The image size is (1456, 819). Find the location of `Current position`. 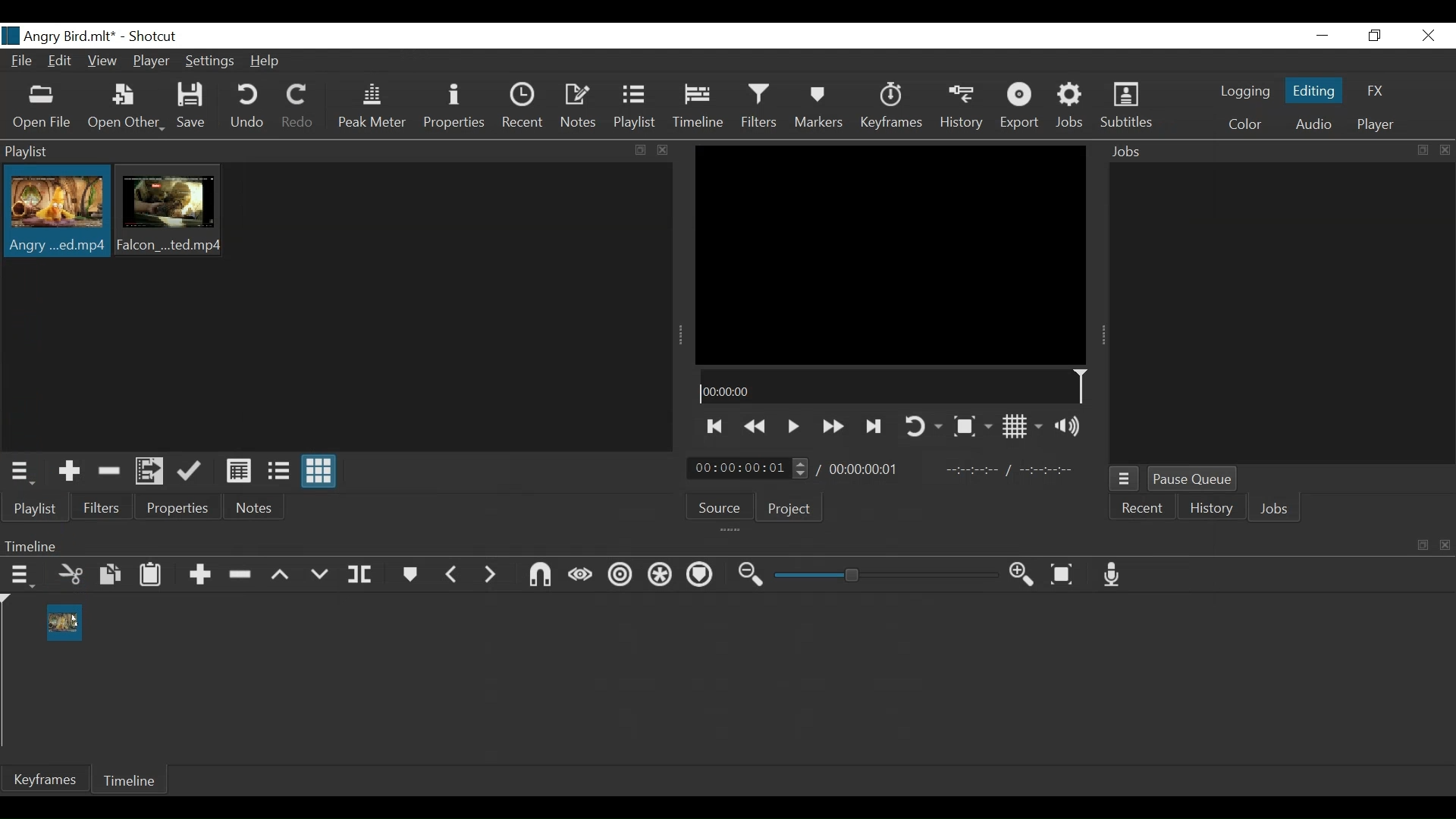

Current position is located at coordinates (750, 469).